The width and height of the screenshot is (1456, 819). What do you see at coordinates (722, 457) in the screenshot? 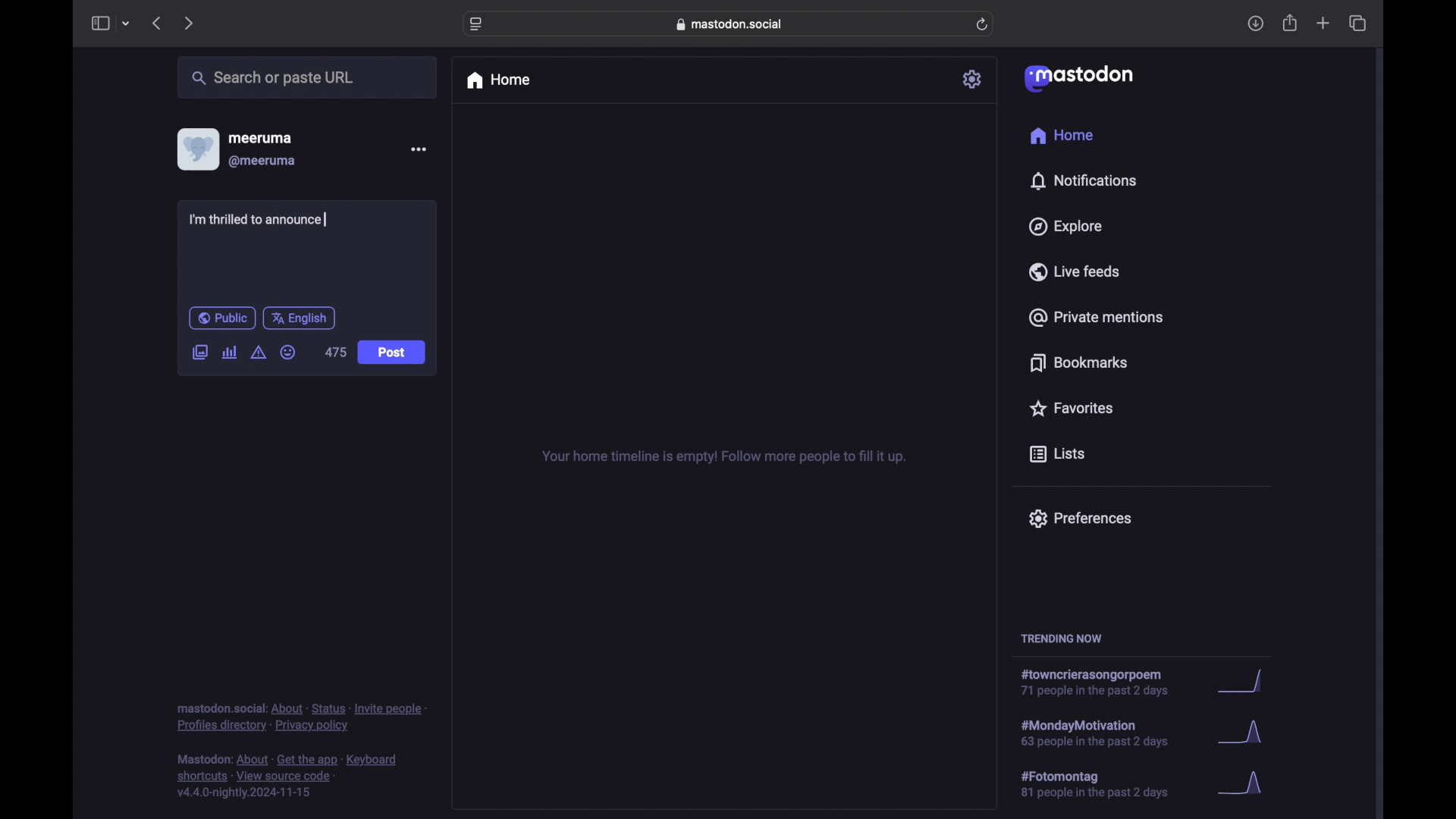
I see `your home timeline is  empty! follow for more tips` at bounding box center [722, 457].